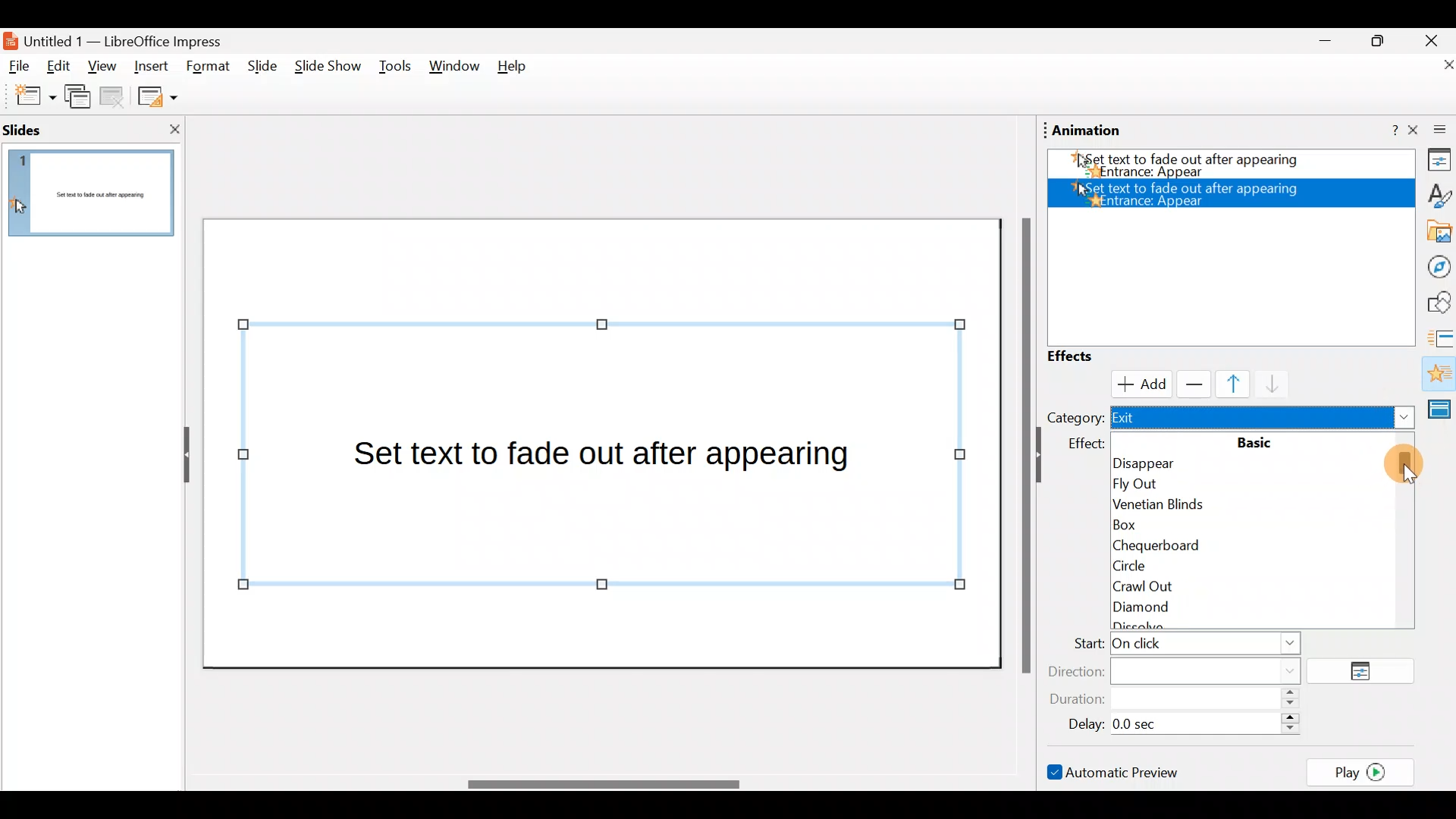  What do you see at coordinates (1384, 131) in the screenshot?
I see `Help` at bounding box center [1384, 131].